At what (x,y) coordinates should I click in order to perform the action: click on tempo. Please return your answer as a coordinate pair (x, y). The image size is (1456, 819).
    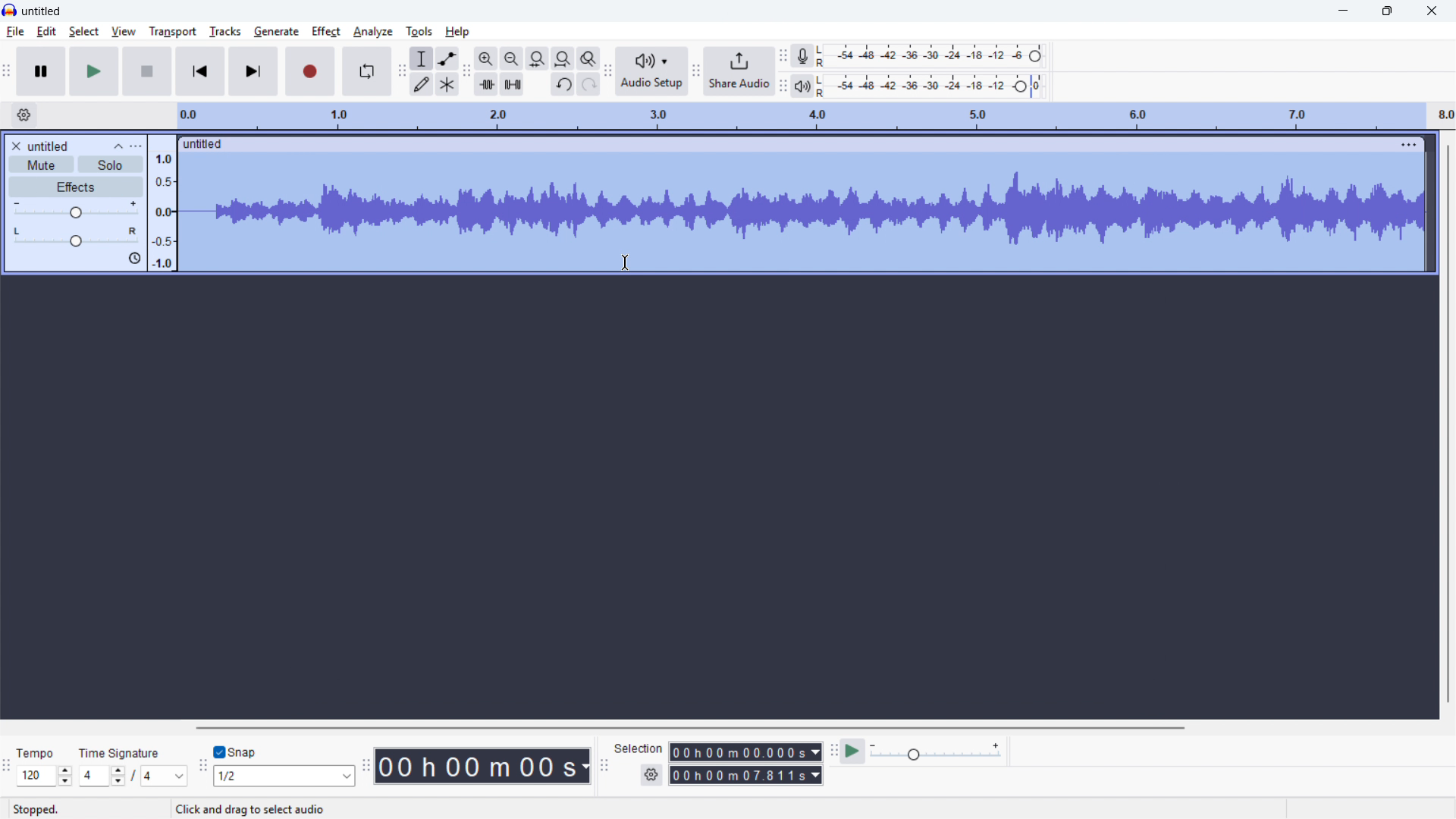
    Looking at the image, I should click on (36, 754).